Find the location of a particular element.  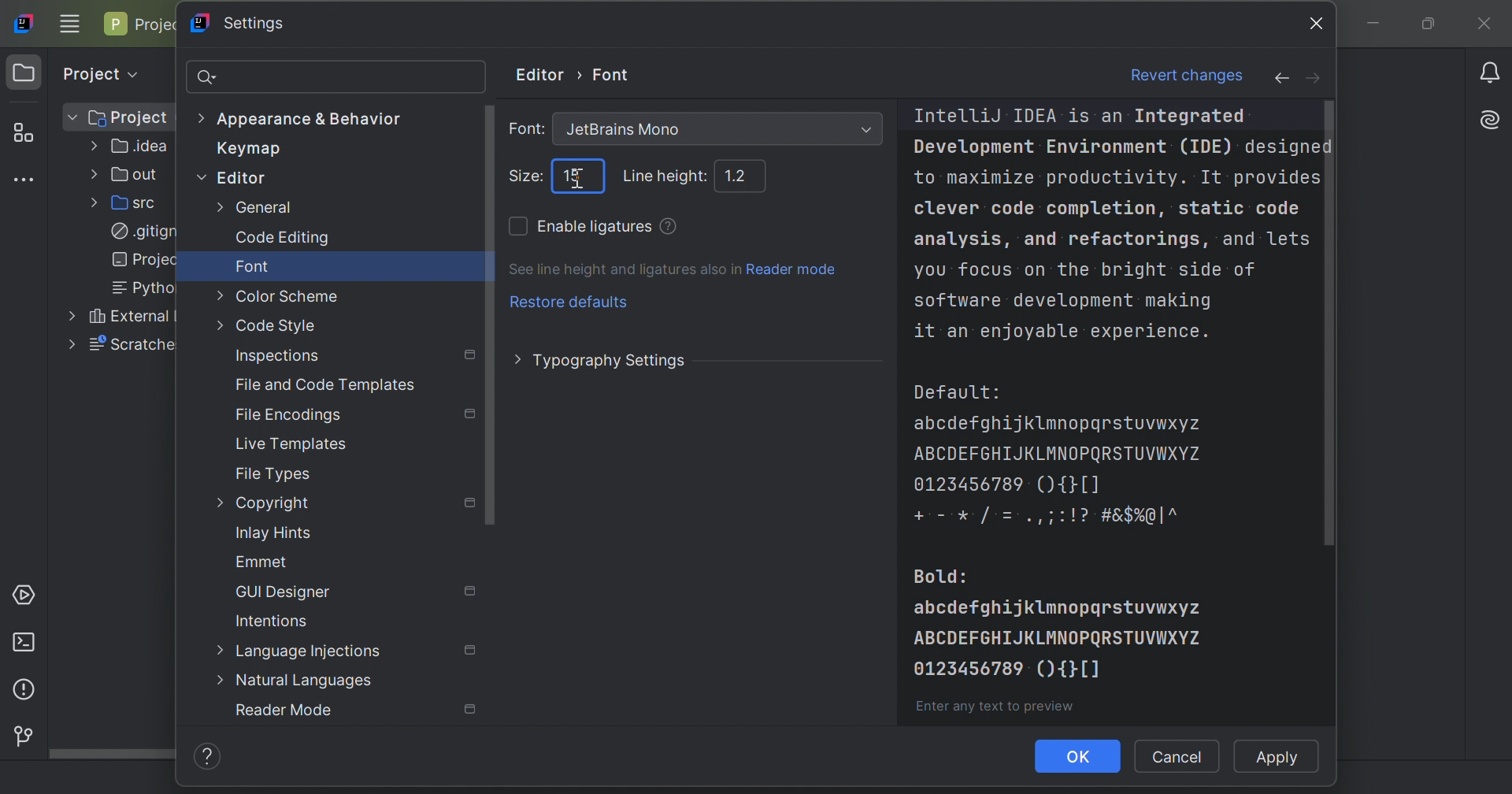

Editor is located at coordinates (231, 176).